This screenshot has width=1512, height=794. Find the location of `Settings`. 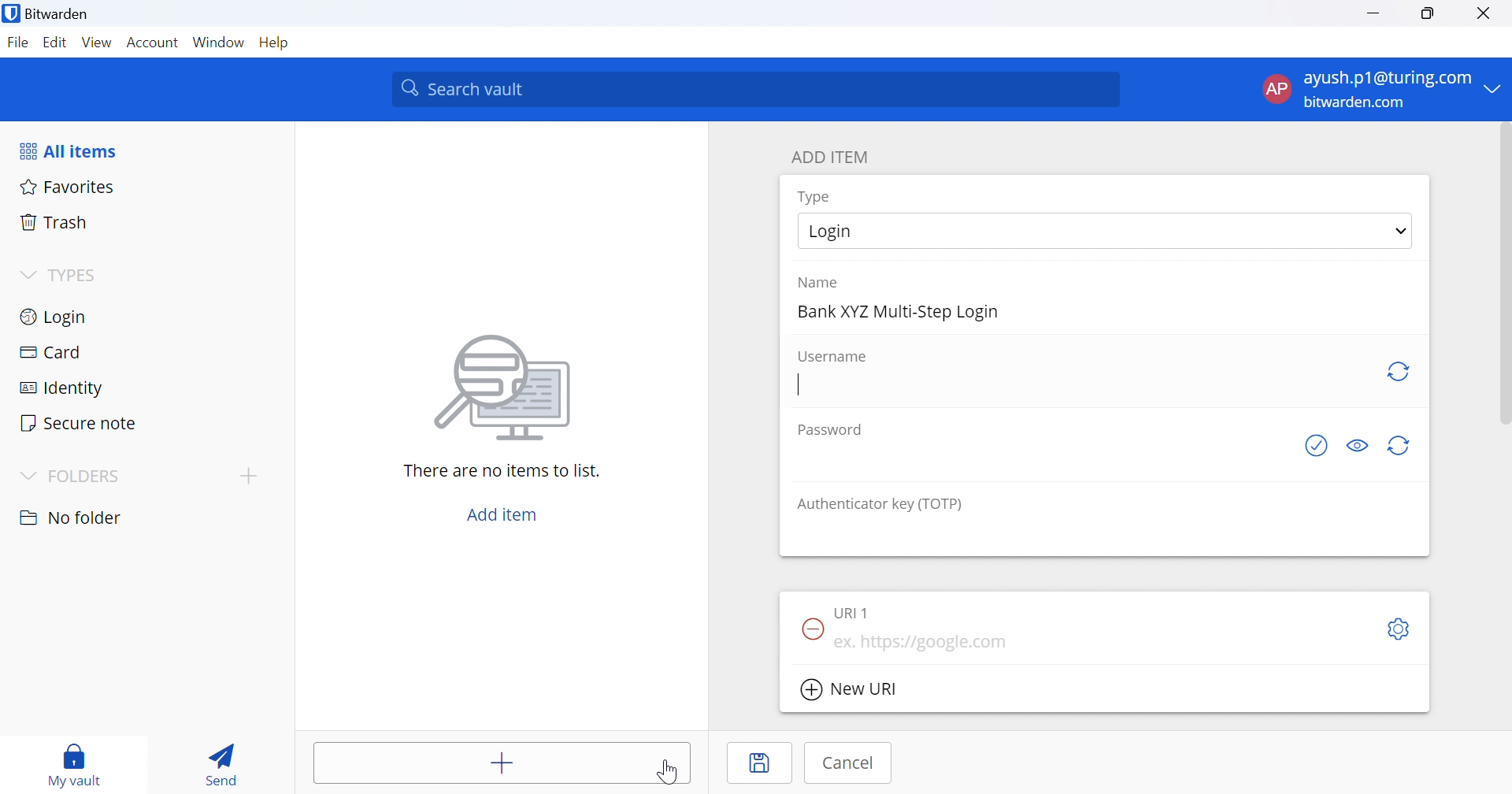

Settings is located at coordinates (1401, 629).